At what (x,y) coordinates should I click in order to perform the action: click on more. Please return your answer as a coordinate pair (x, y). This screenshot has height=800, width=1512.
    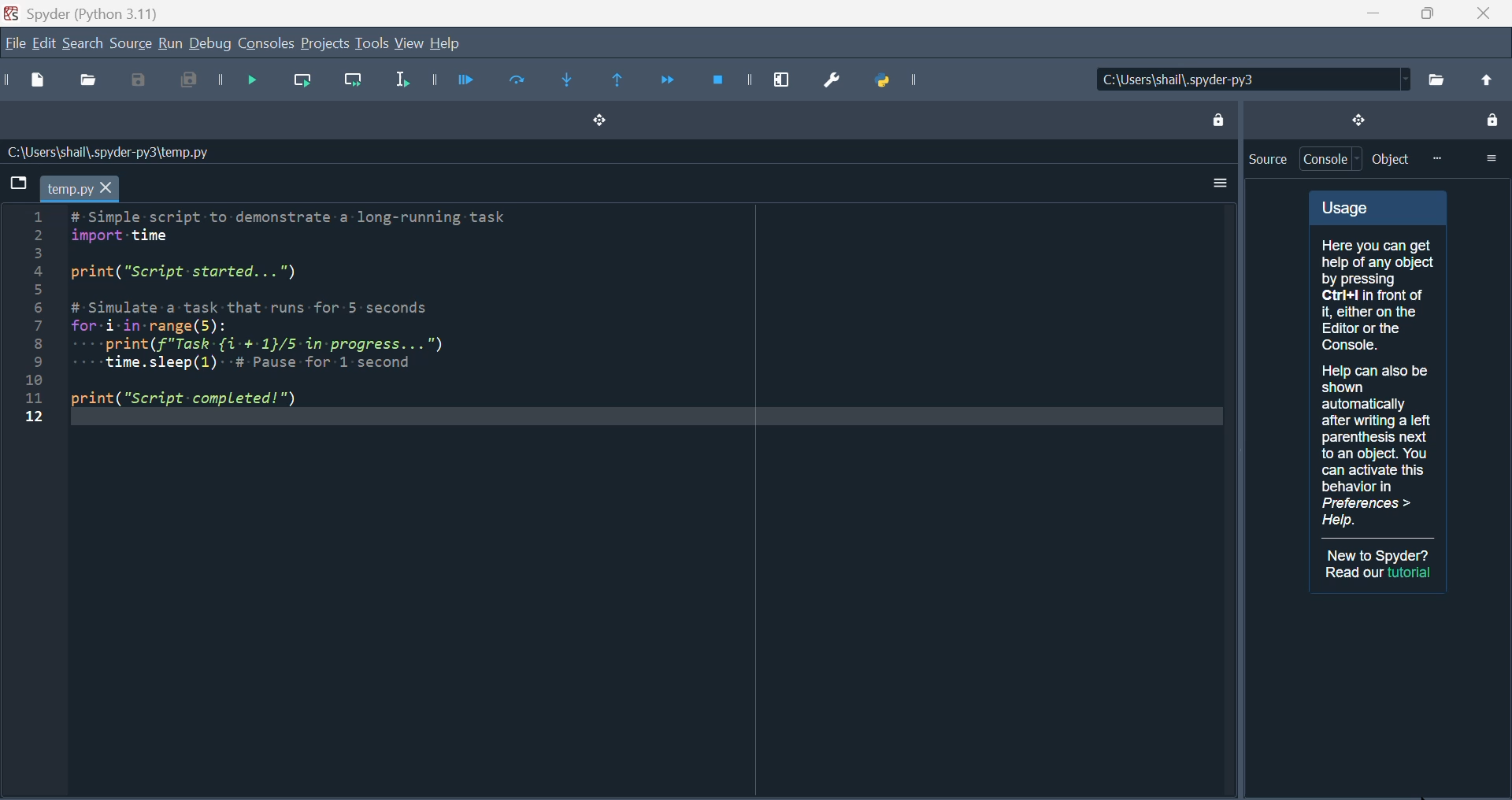
    Looking at the image, I should click on (1436, 158).